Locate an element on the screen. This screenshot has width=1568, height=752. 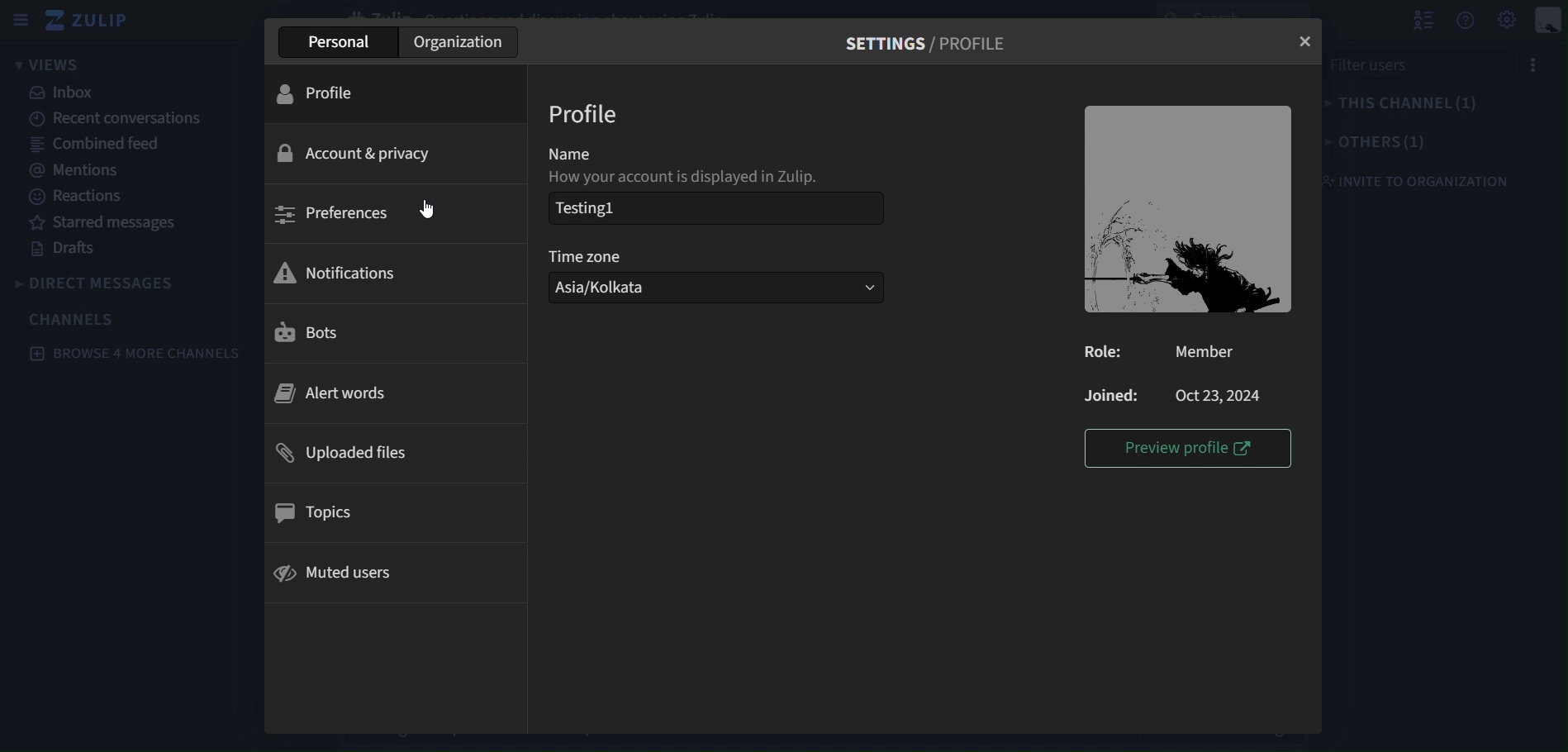
filter users is located at coordinates (1374, 67).